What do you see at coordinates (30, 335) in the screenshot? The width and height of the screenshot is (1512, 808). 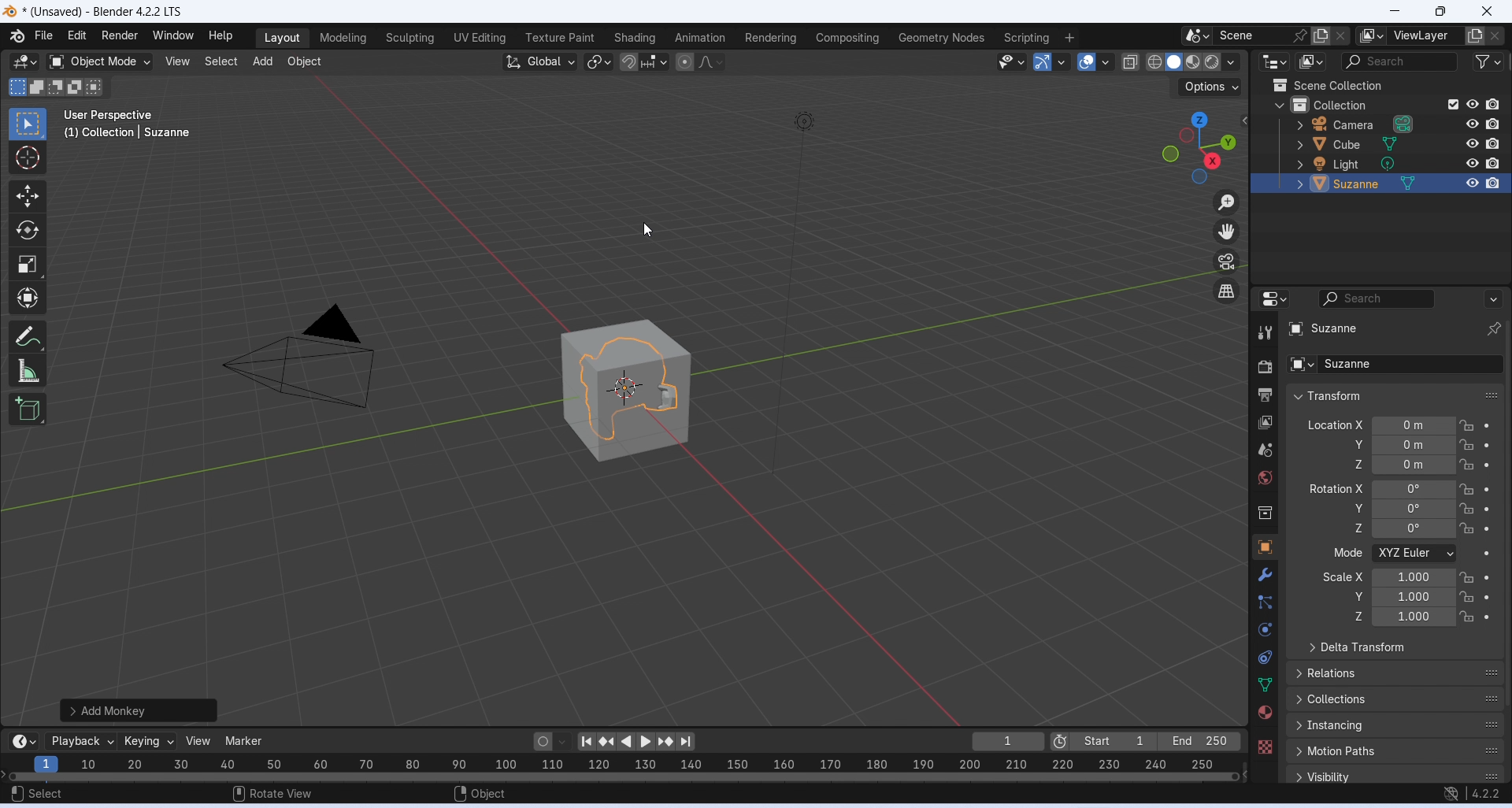 I see `Annotate` at bounding box center [30, 335].